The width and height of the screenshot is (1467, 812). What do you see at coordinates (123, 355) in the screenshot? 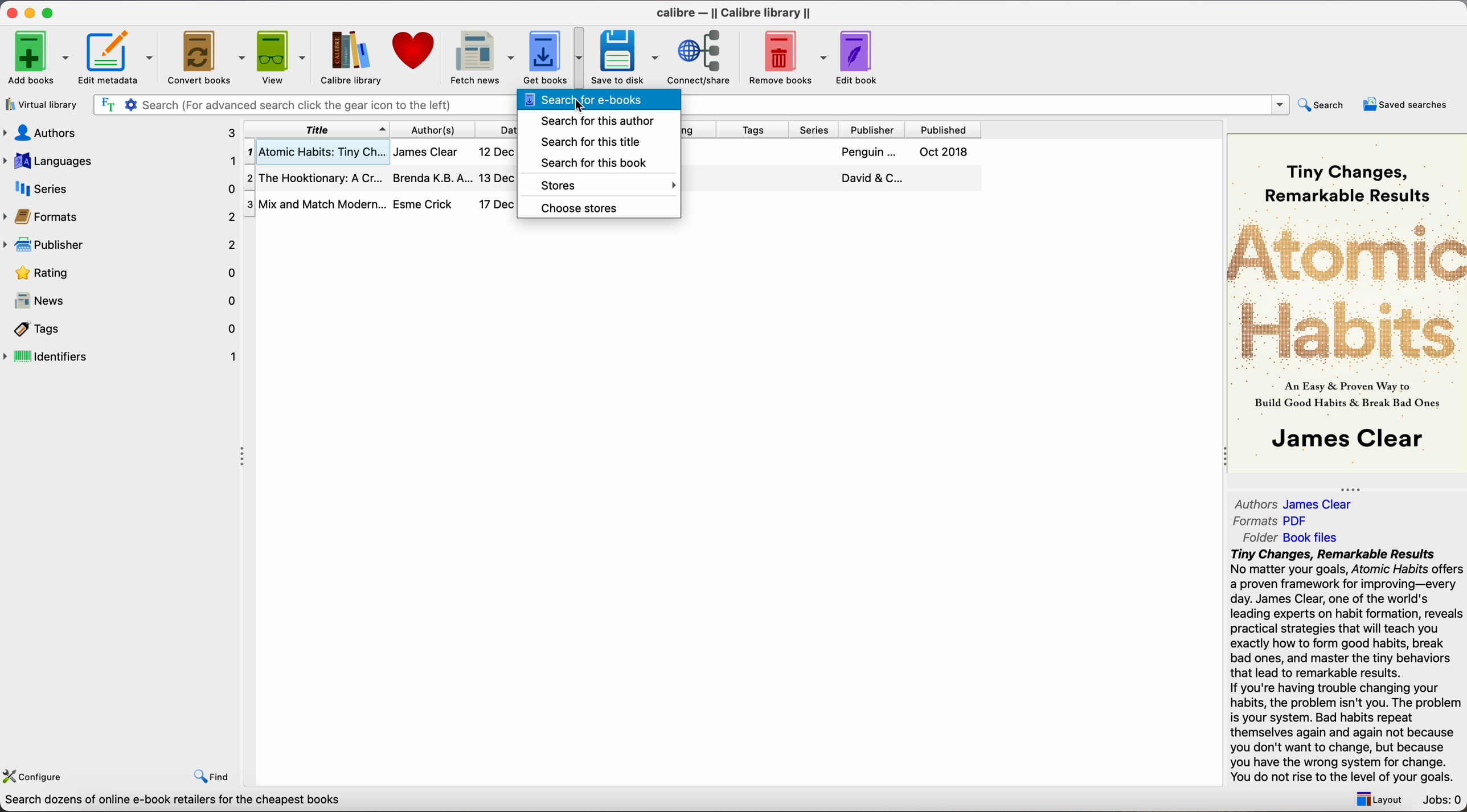
I see `indentifiers` at bounding box center [123, 355].